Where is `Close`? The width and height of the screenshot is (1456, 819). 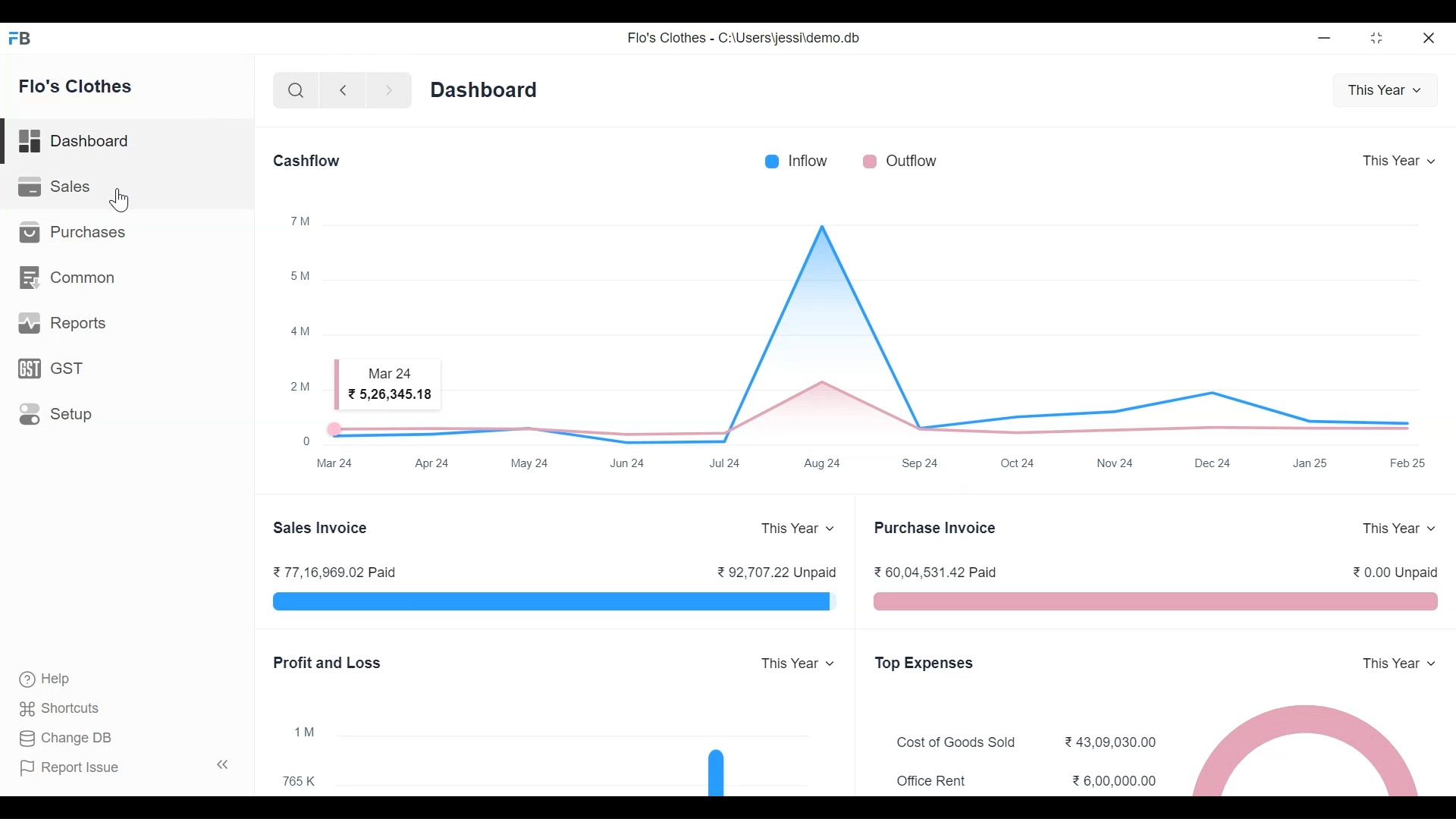
Close is located at coordinates (1429, 39).